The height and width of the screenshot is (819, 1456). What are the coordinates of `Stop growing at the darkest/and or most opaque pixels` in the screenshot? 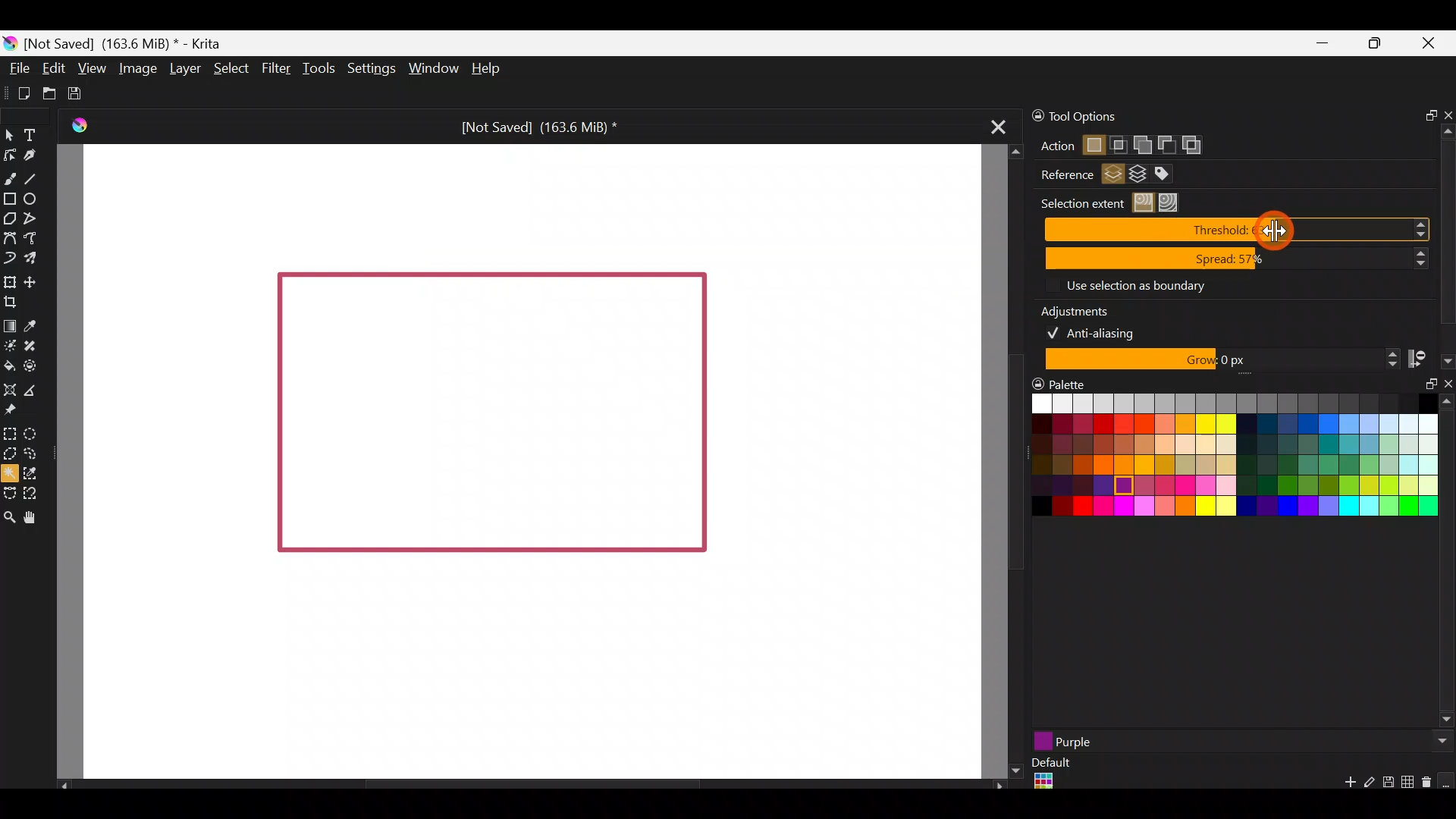 It's located at (1429, 358).